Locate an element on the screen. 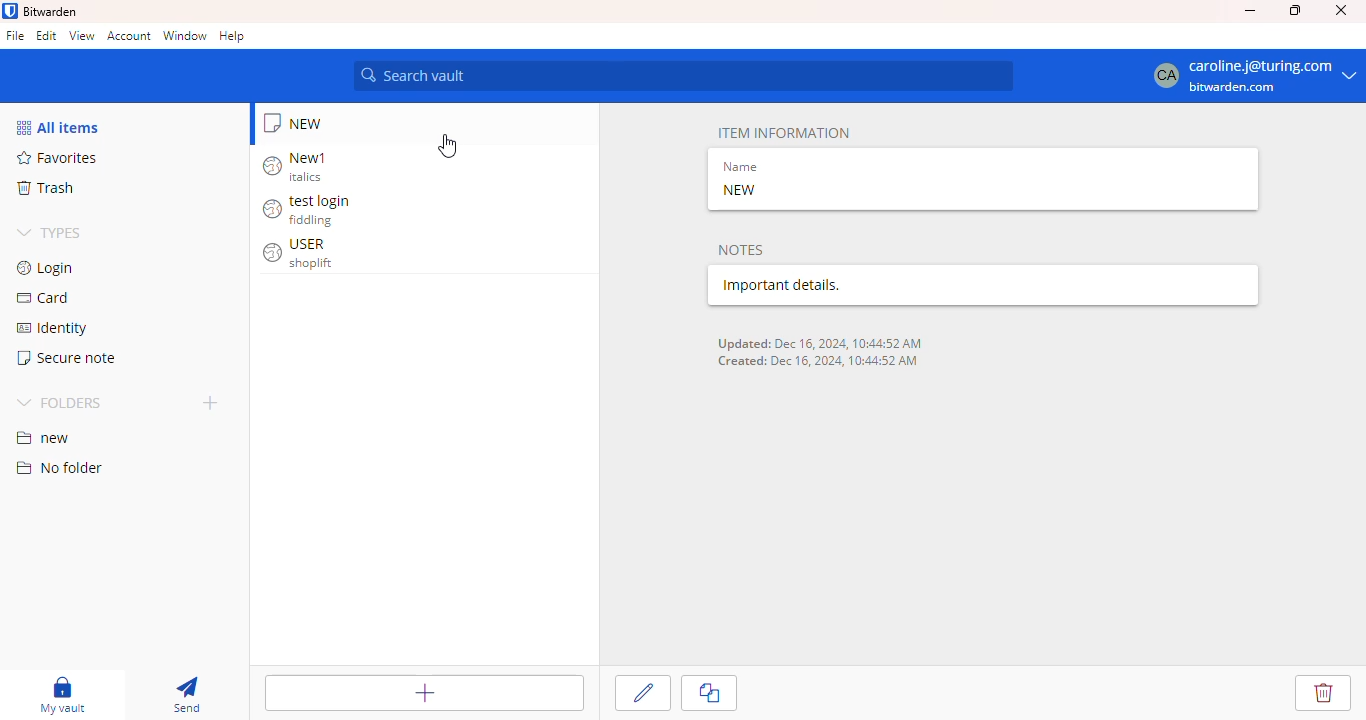 This screenshot has width=1366, height=720. important details is located at coordinates (858, 285).